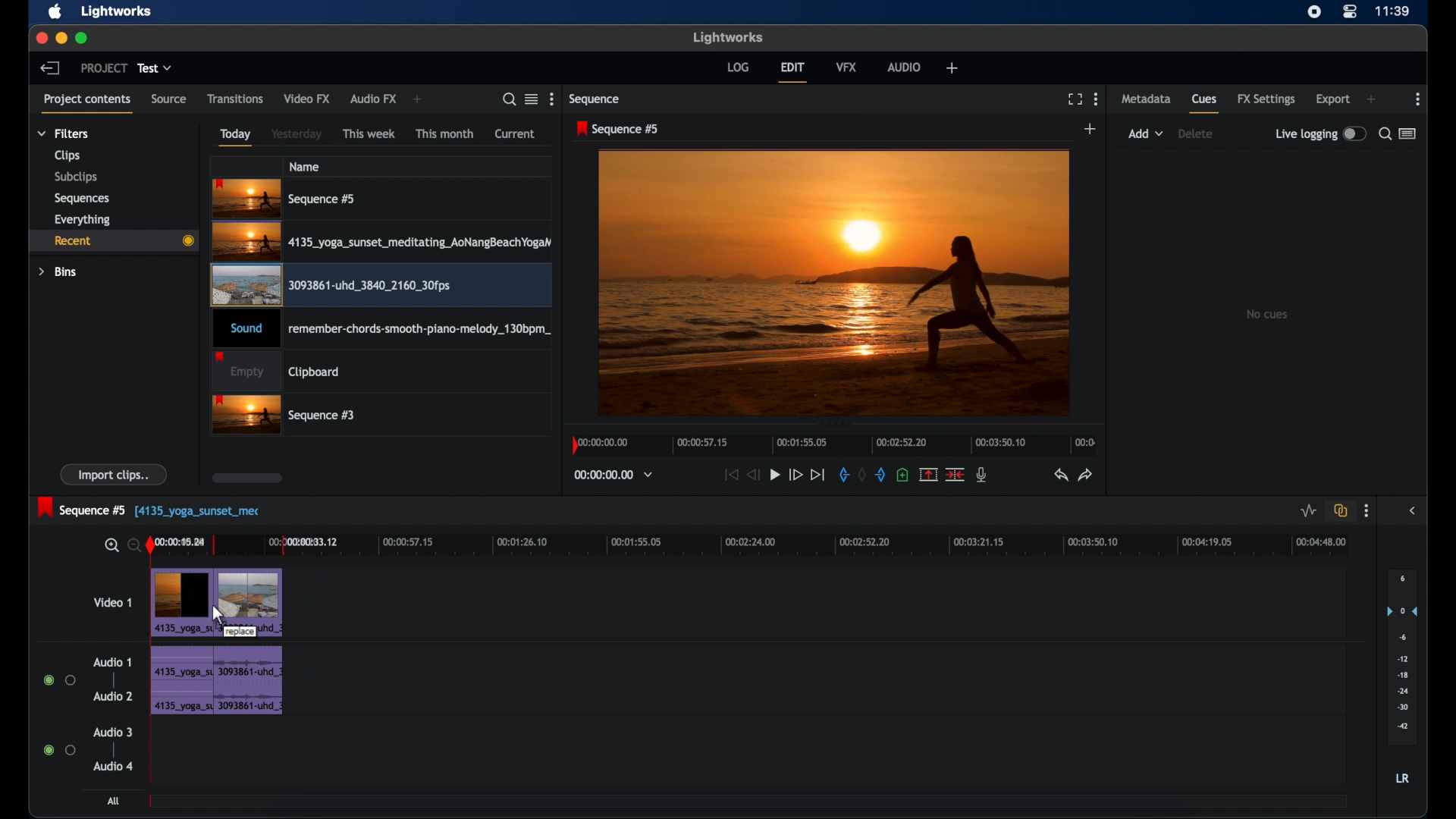 The image size is (1456, 819). I want to click on project contents, so click(87, 104).